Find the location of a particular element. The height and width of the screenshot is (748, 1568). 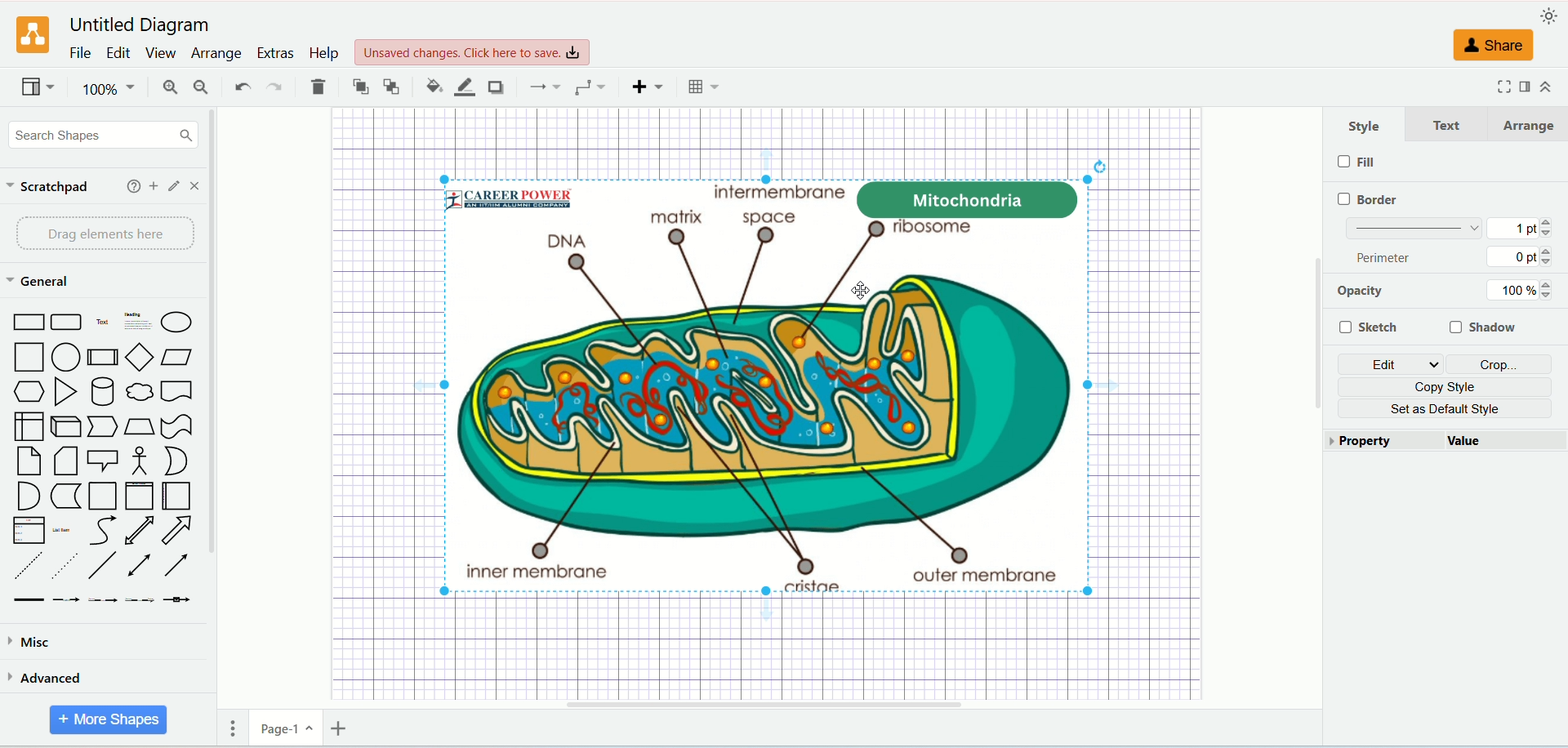

border thickness is located at coordinates (1450, 228).